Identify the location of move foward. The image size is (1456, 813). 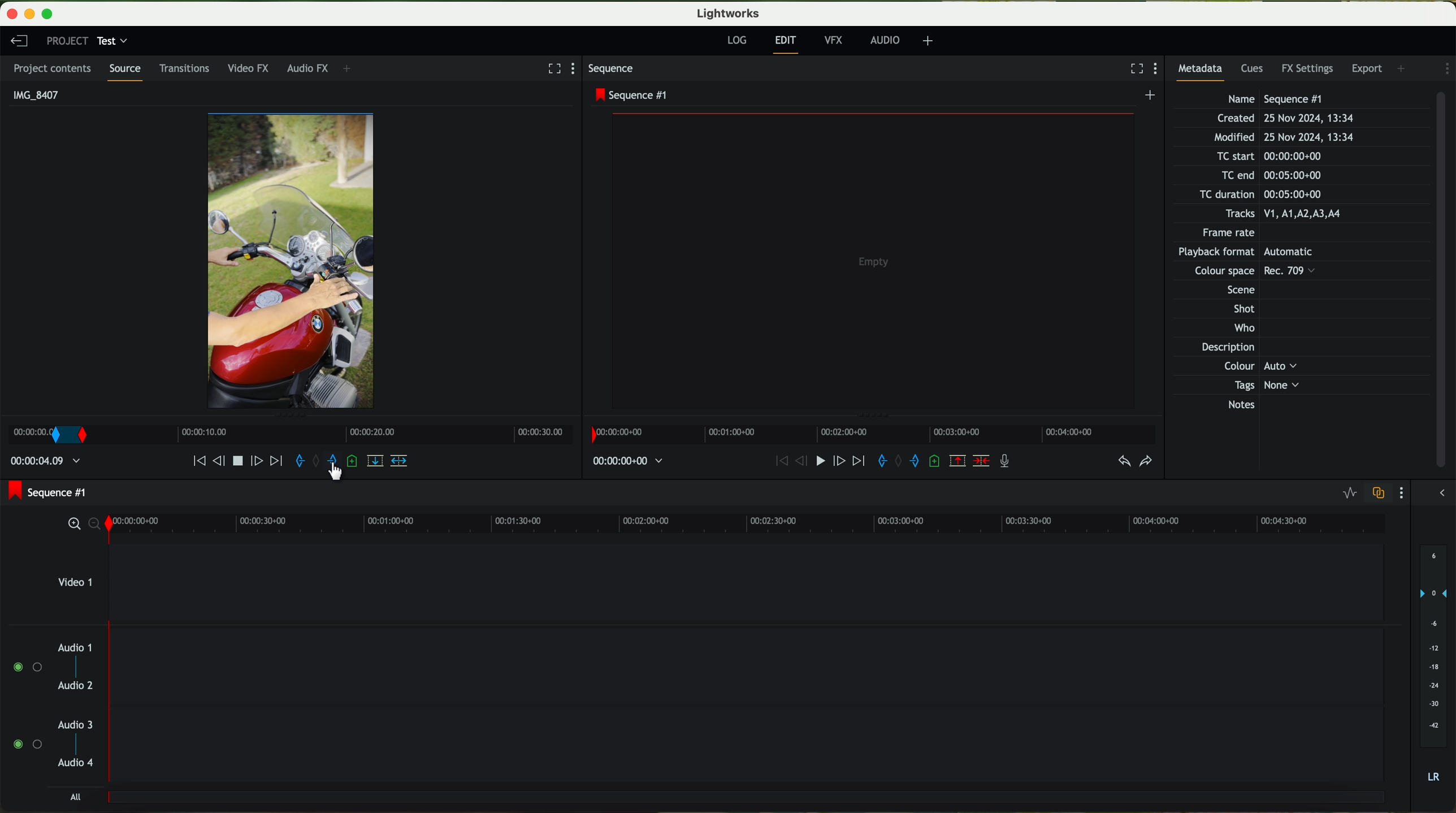
(856, 462).